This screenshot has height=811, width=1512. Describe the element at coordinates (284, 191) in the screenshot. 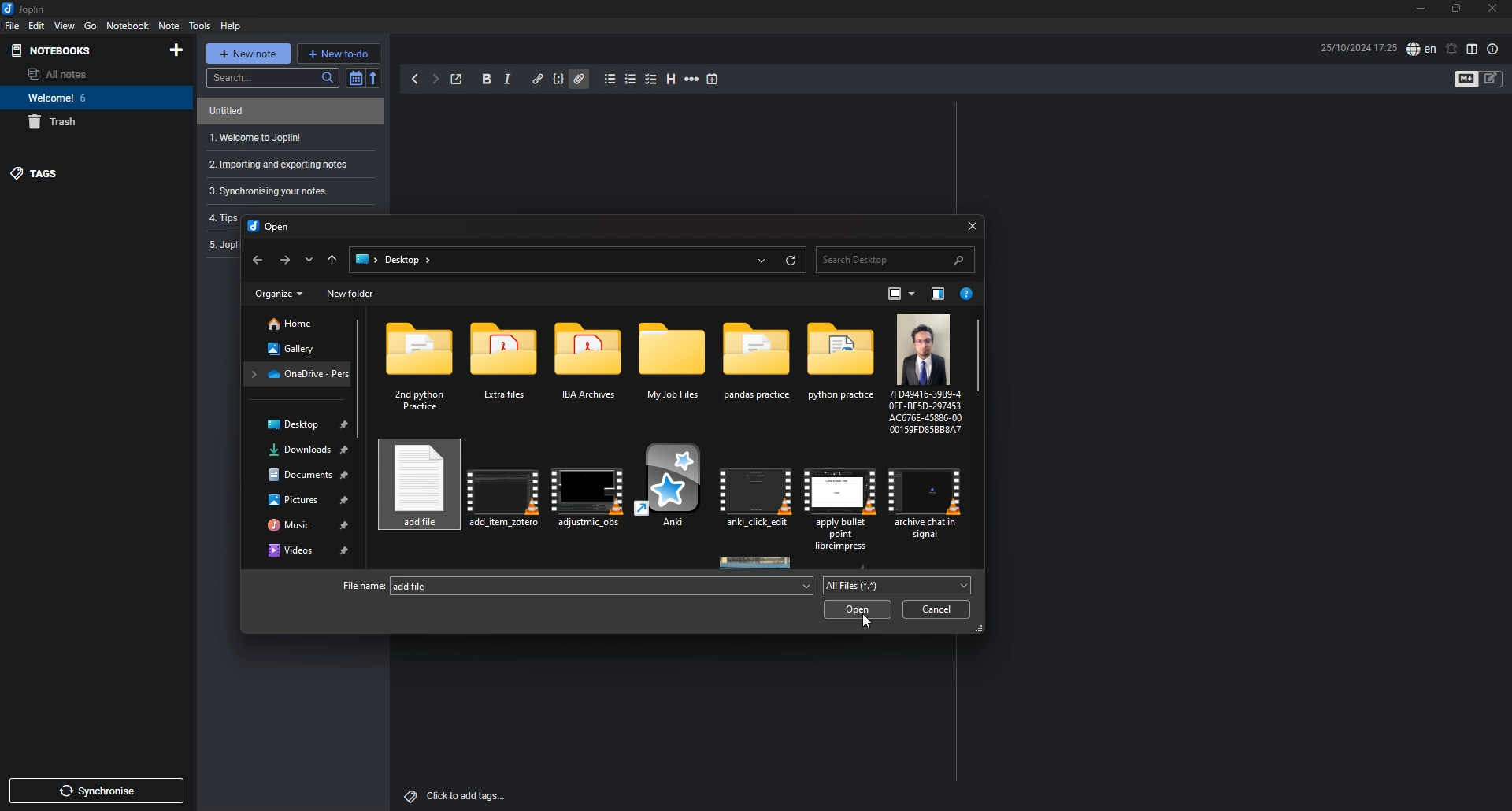

I see `3. Synchronishing notes` at that location.